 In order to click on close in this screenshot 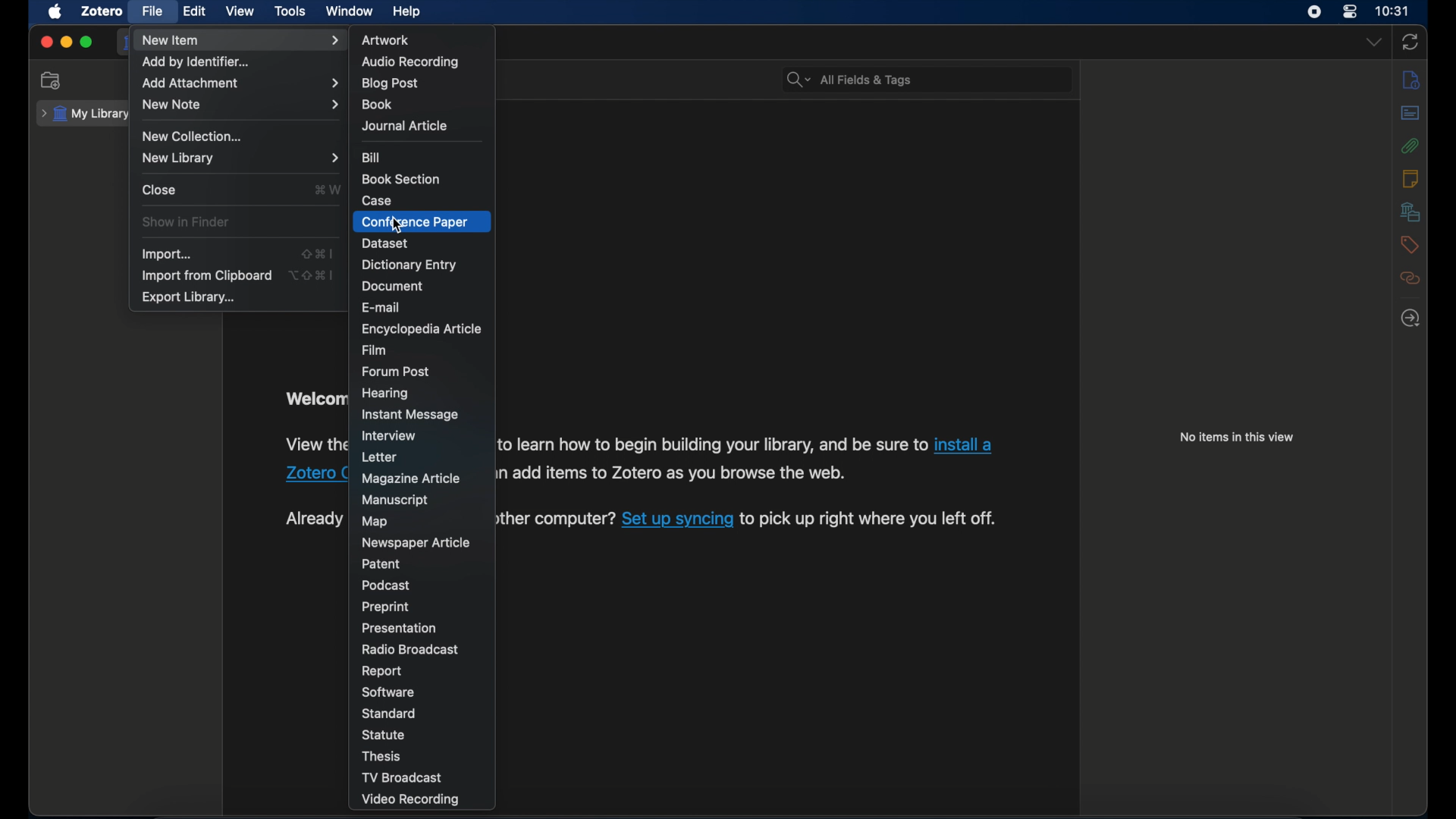, I will do `click(45, 43)`.